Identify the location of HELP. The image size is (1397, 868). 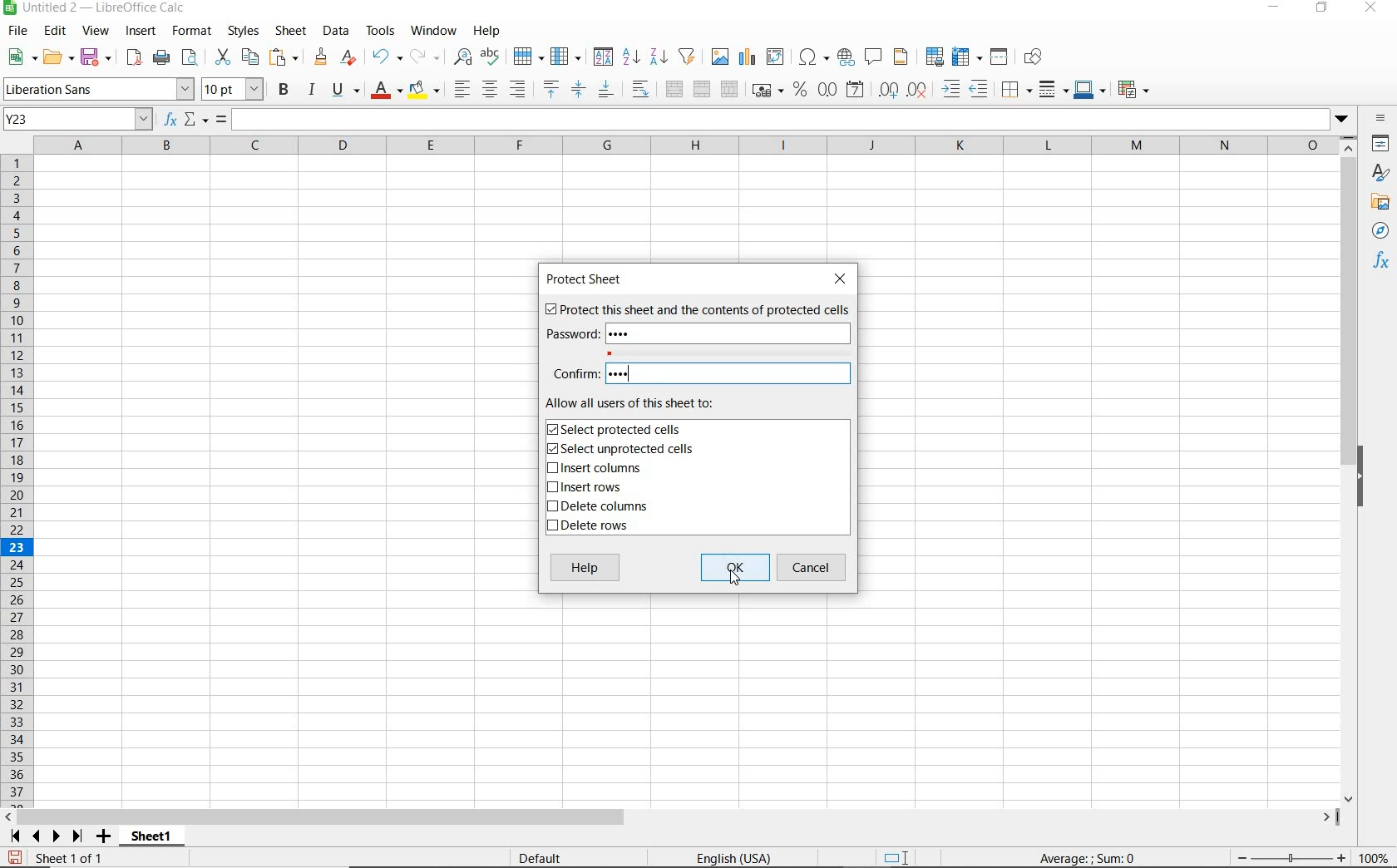
(585, 570).